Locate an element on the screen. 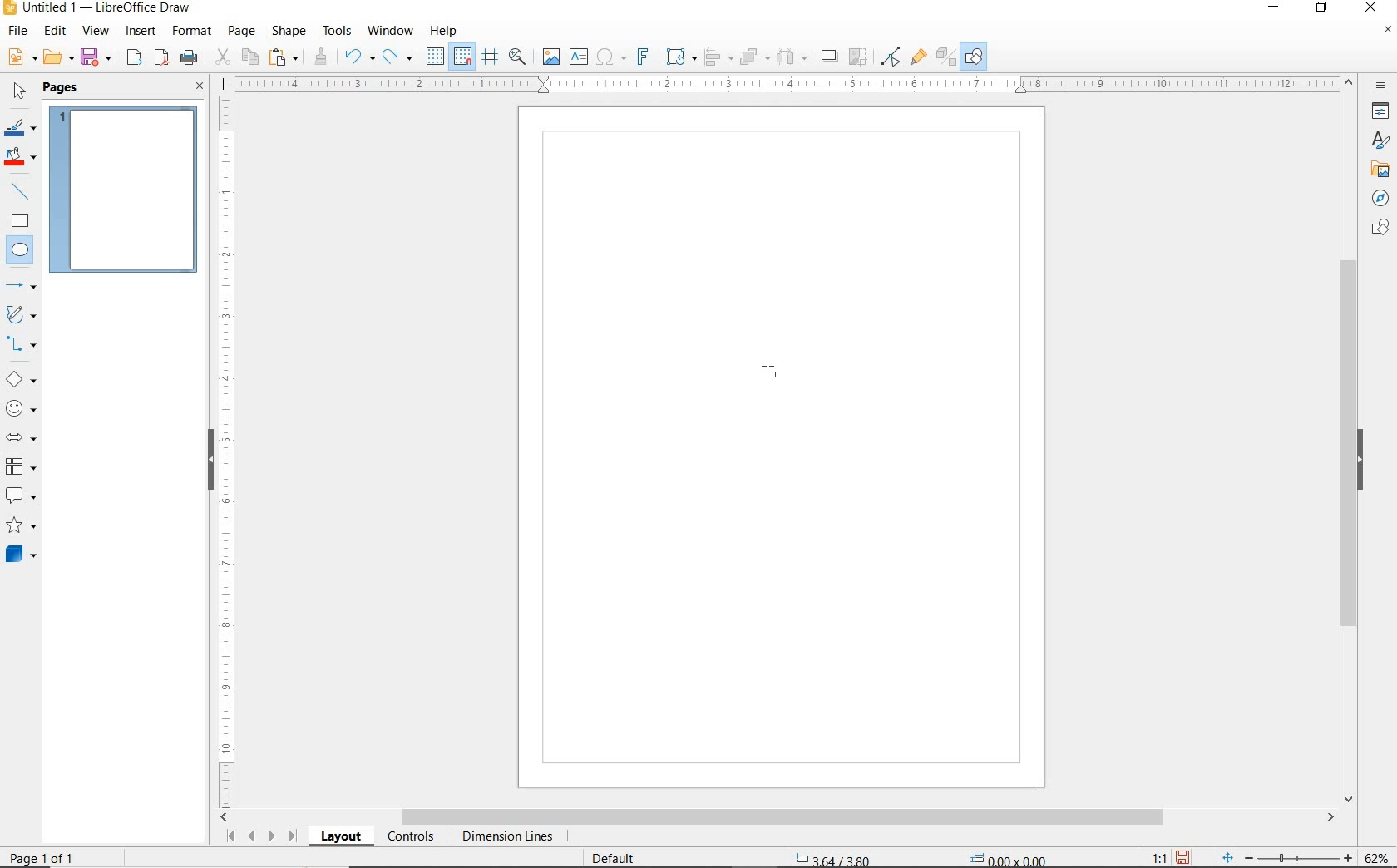  FILE NAME is located at coordinates (96, 9).